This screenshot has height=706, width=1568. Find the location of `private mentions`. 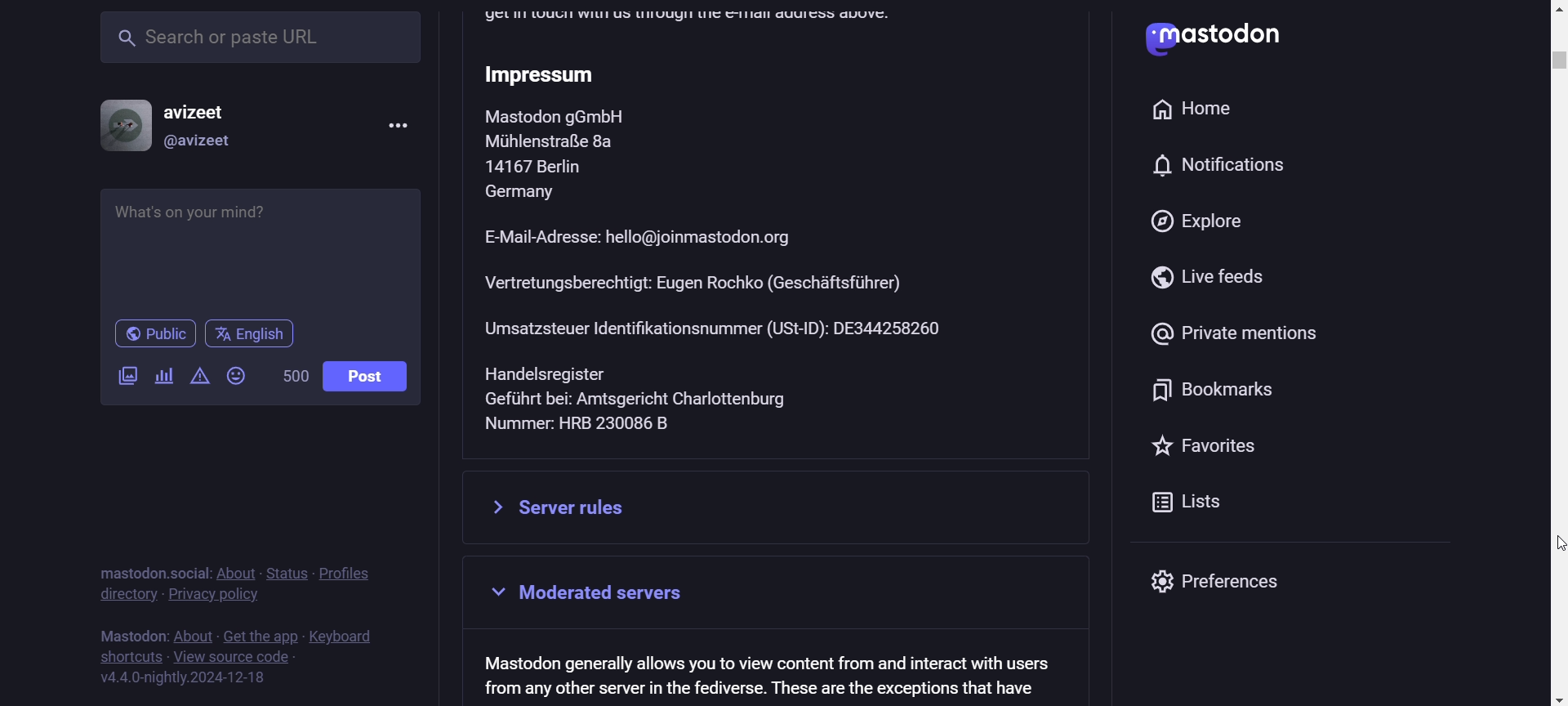

private mentions is located at coordinates (1232, 336).